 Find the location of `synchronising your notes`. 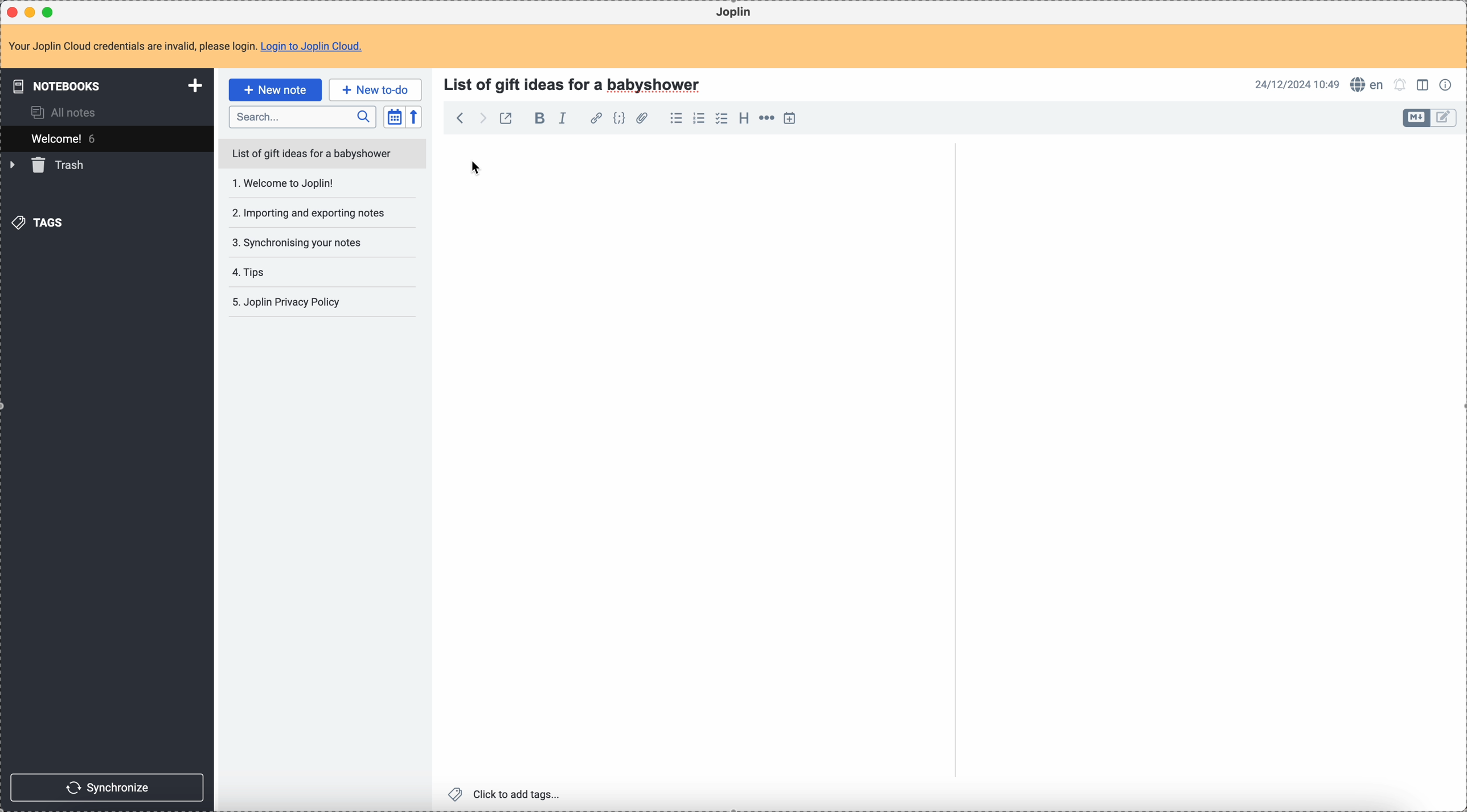

synchronising your notes is located at coordinates (306, 243).